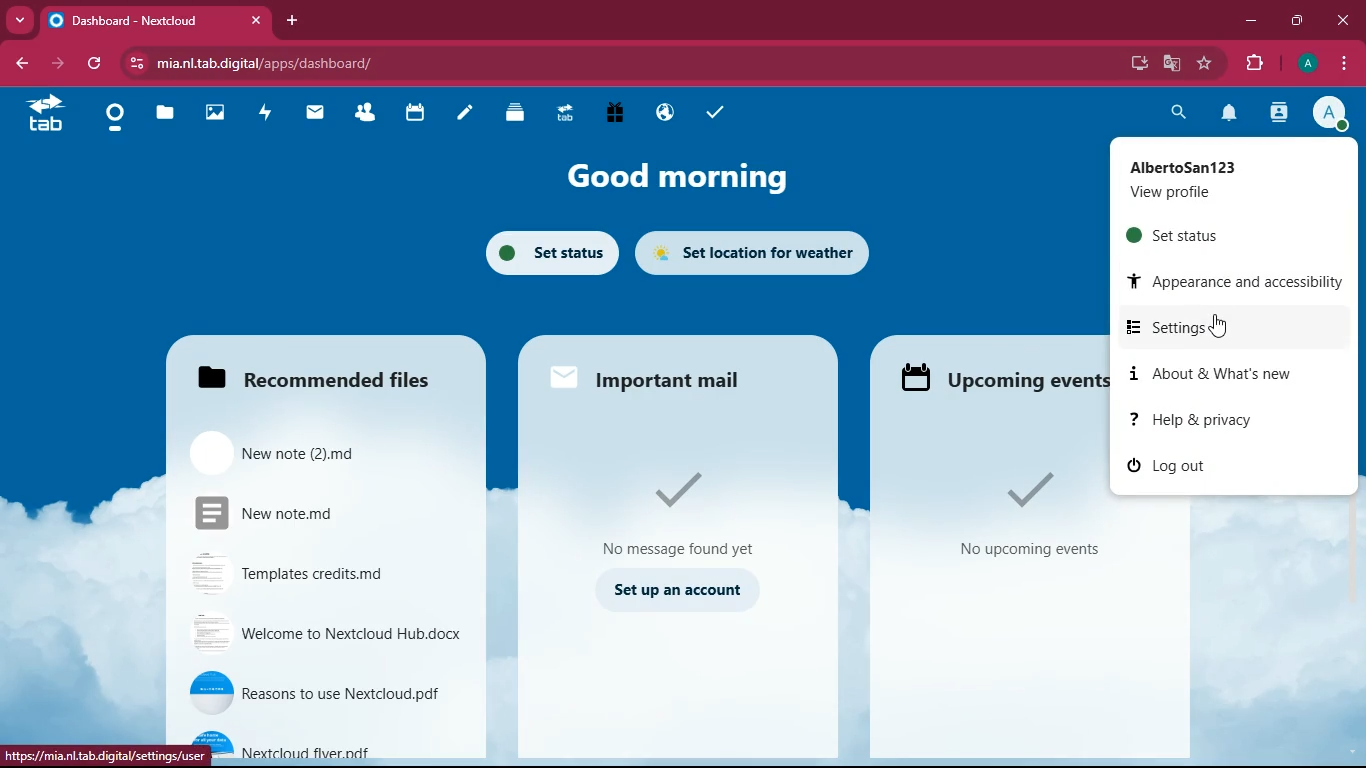  Describe the element at coordinates (17, 20) in the screenshot. I see `more` at that location.